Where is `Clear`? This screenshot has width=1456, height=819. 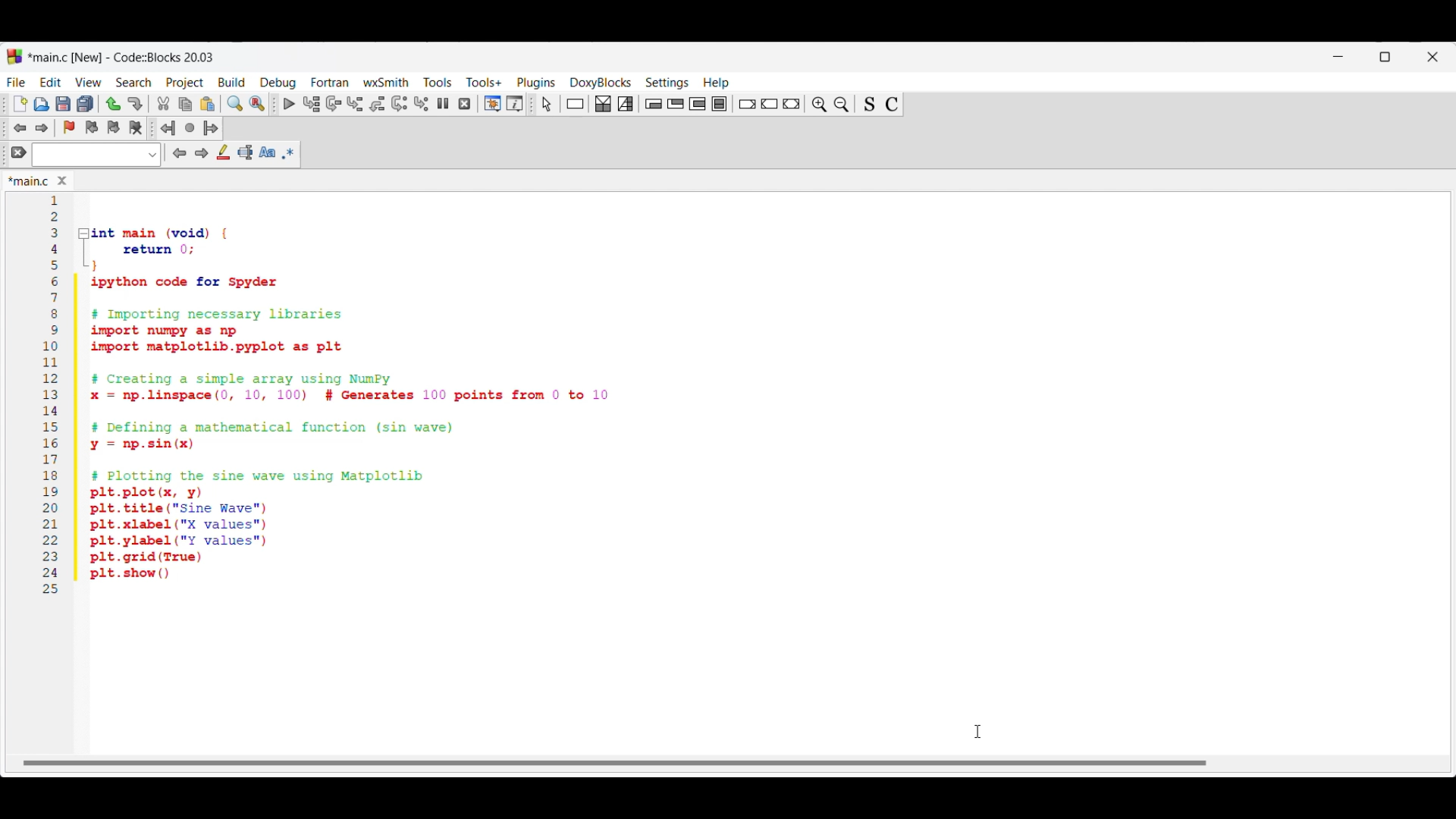
Clear is located at coordinates (19, 152).